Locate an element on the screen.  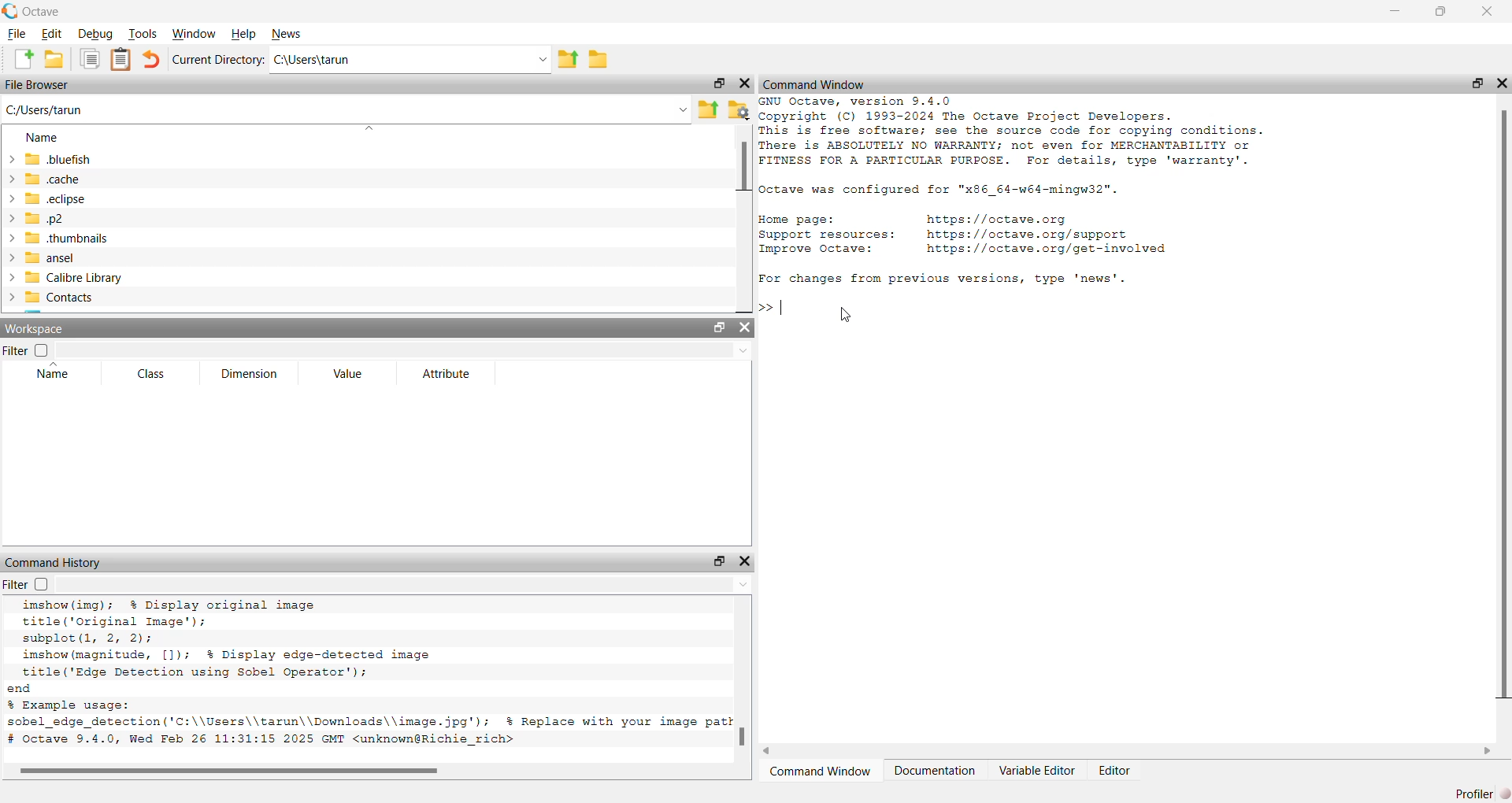
 eclipse is located at coordinates (50, 202).